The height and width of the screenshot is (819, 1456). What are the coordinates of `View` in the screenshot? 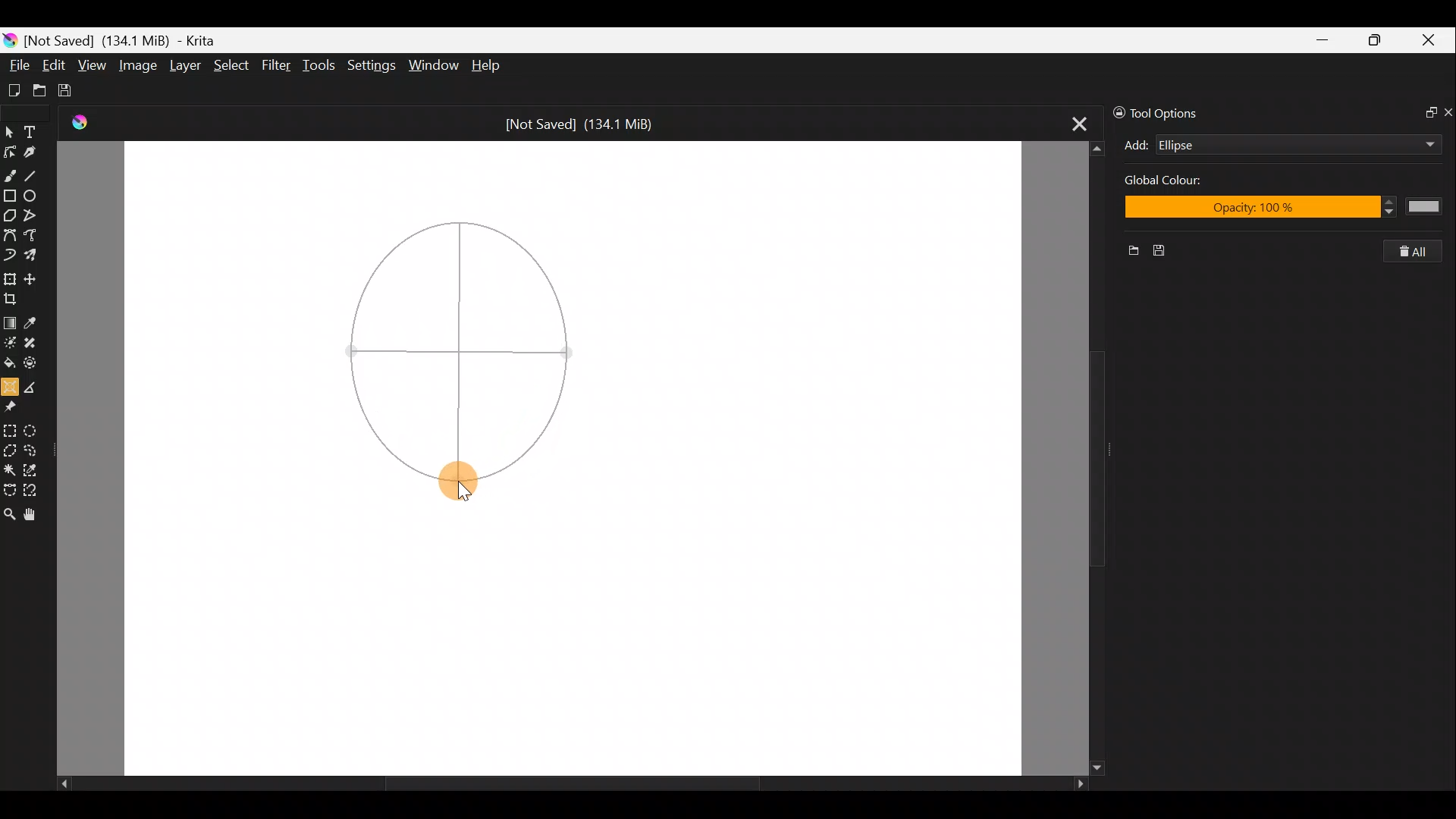 It's located at (93, 66).